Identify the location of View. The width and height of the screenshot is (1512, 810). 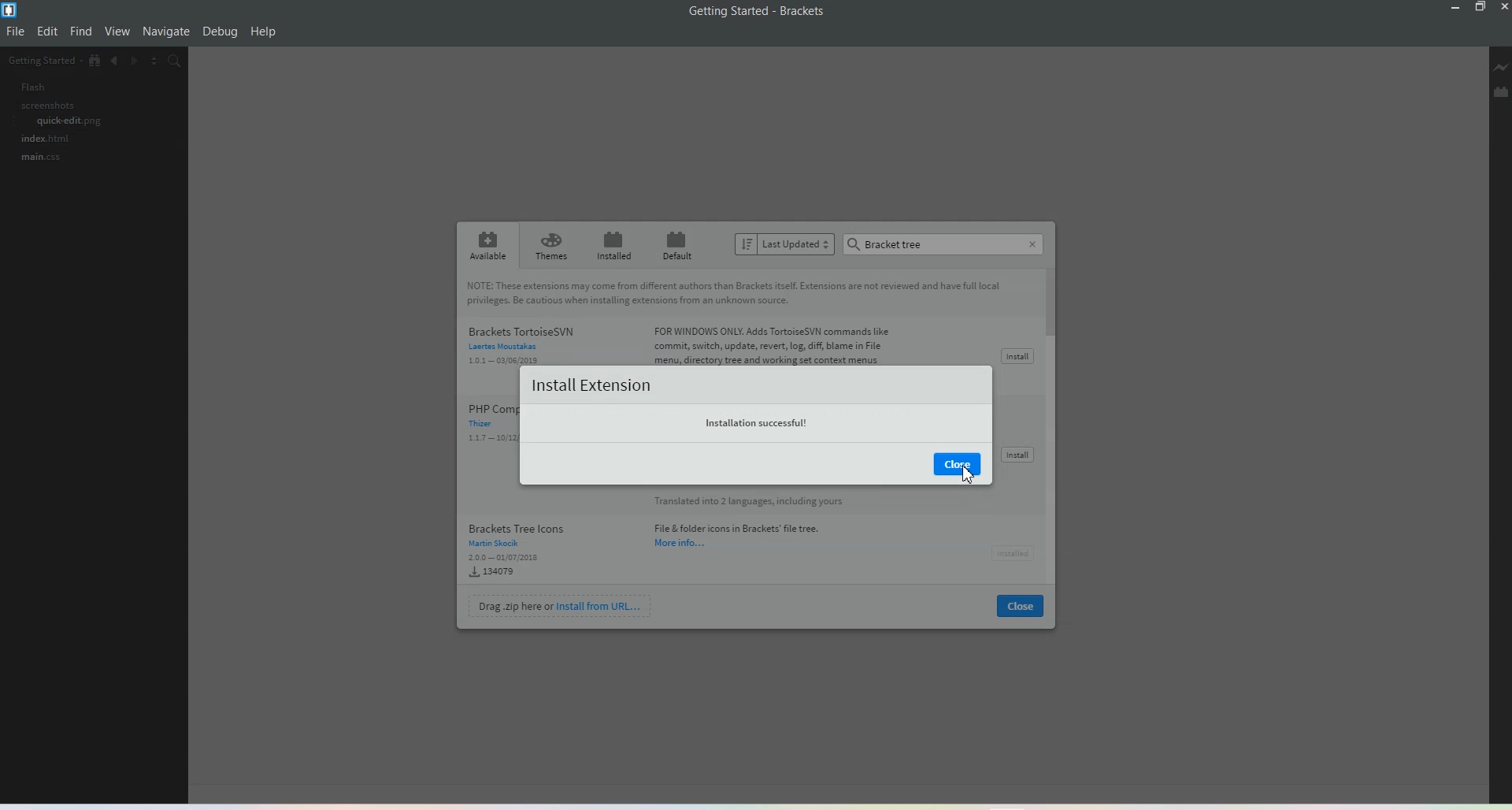
(118, 32).